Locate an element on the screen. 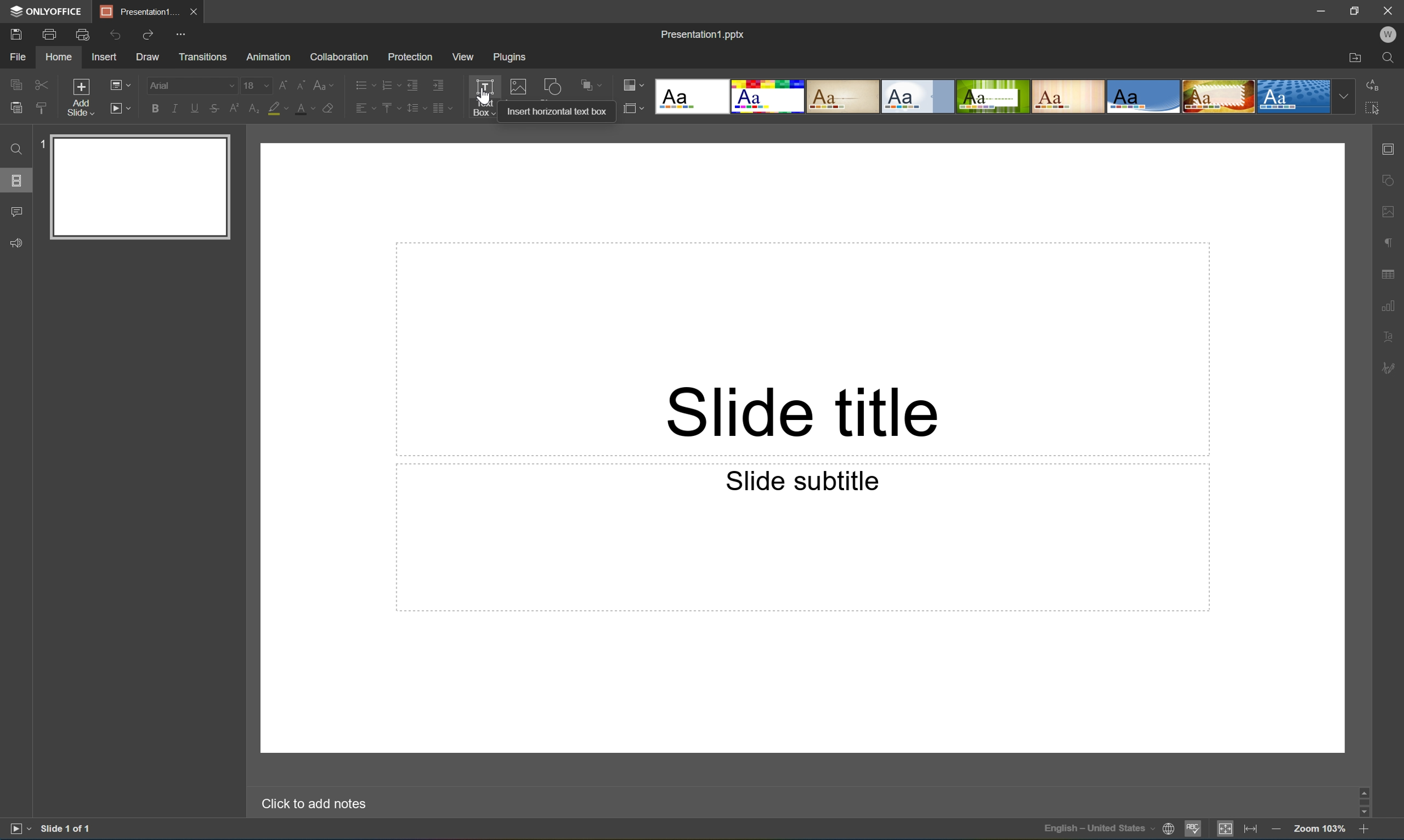 This screenshot has height=840, width=1404. Print file is located at coordinates (50, 35).